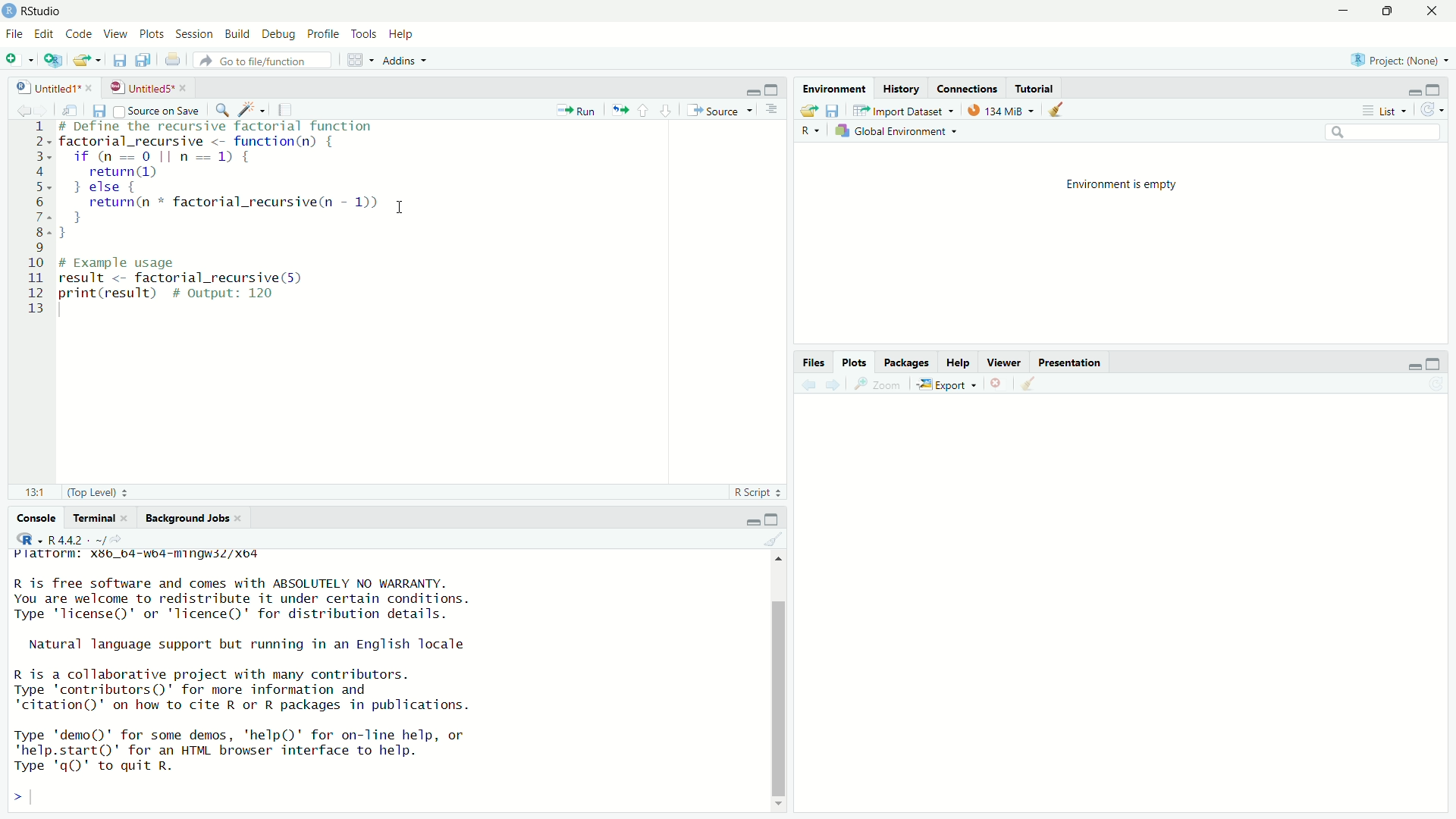 Image resolution: width=1456 pixels, height=819 pixels. Describe the element at coordinates (718, 109) in the screenshot. I see `Source` at that location.